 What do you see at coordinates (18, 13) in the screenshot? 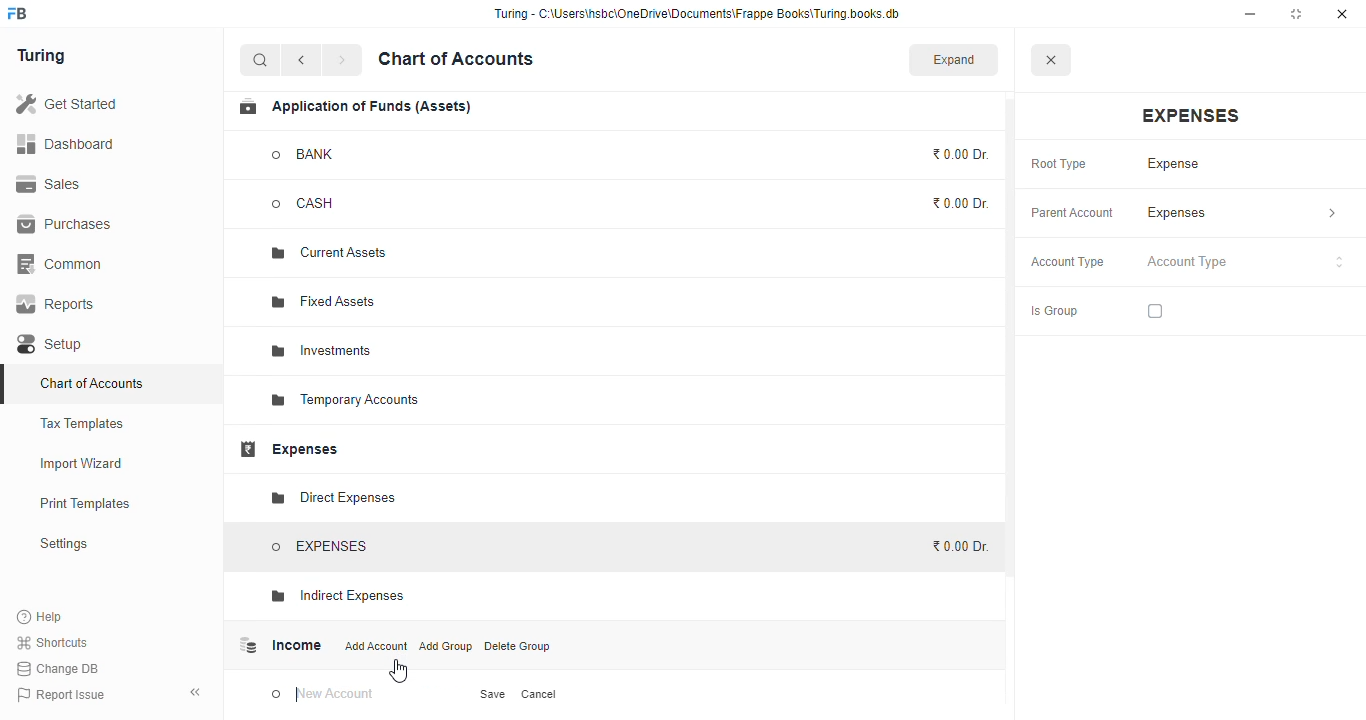
I see `logo` at bounding box center [18, 13].